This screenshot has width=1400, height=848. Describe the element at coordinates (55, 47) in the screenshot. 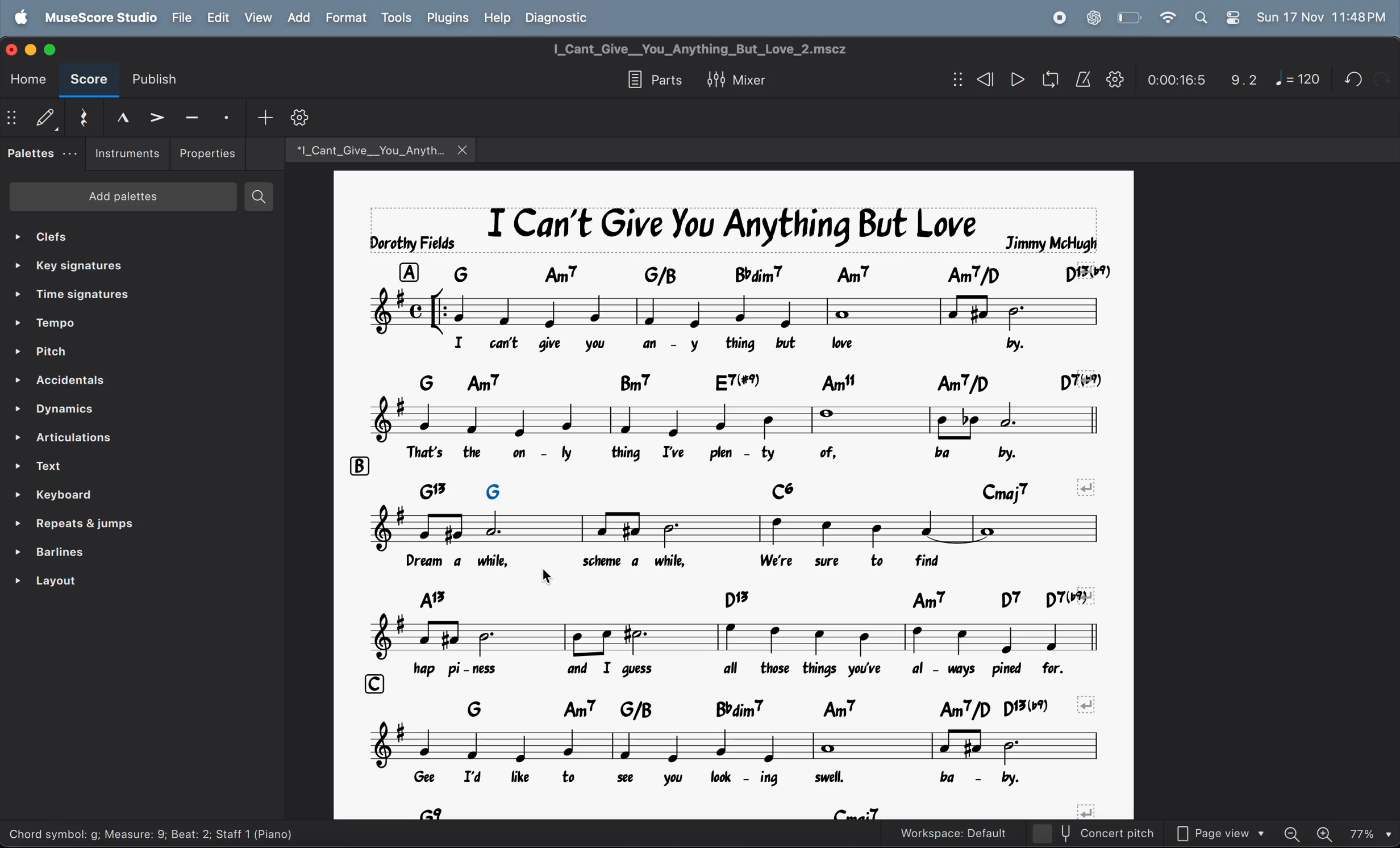

I see `maximize` at that location.